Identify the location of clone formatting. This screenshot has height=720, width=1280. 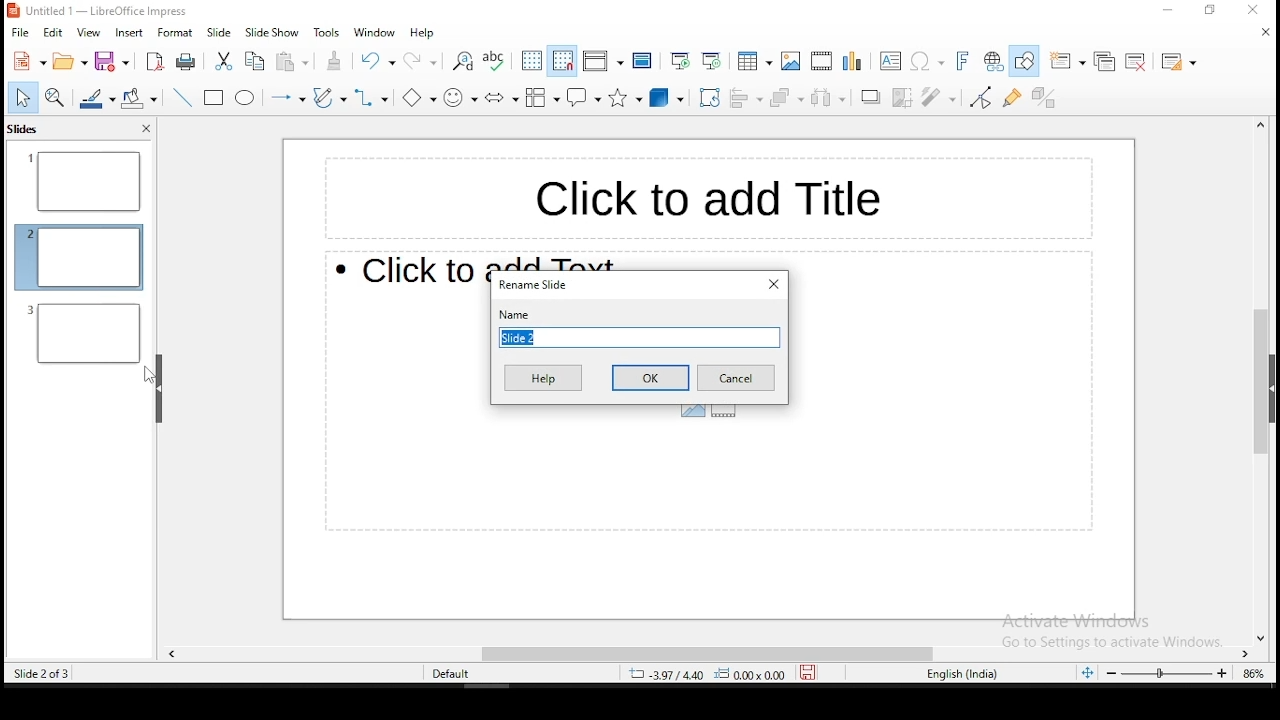
(335, 60).